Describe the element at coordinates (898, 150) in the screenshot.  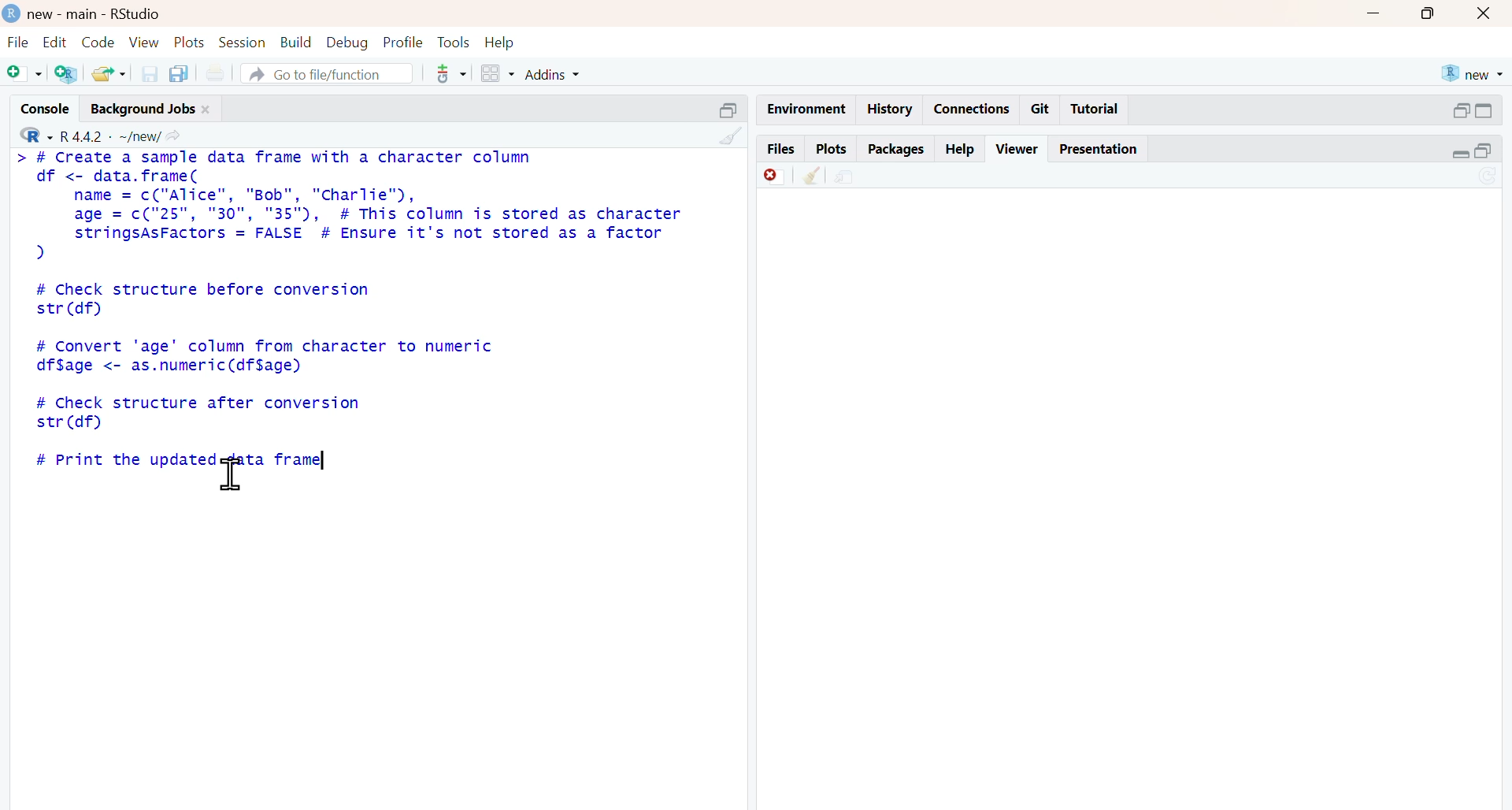
I see `packages` at that location.